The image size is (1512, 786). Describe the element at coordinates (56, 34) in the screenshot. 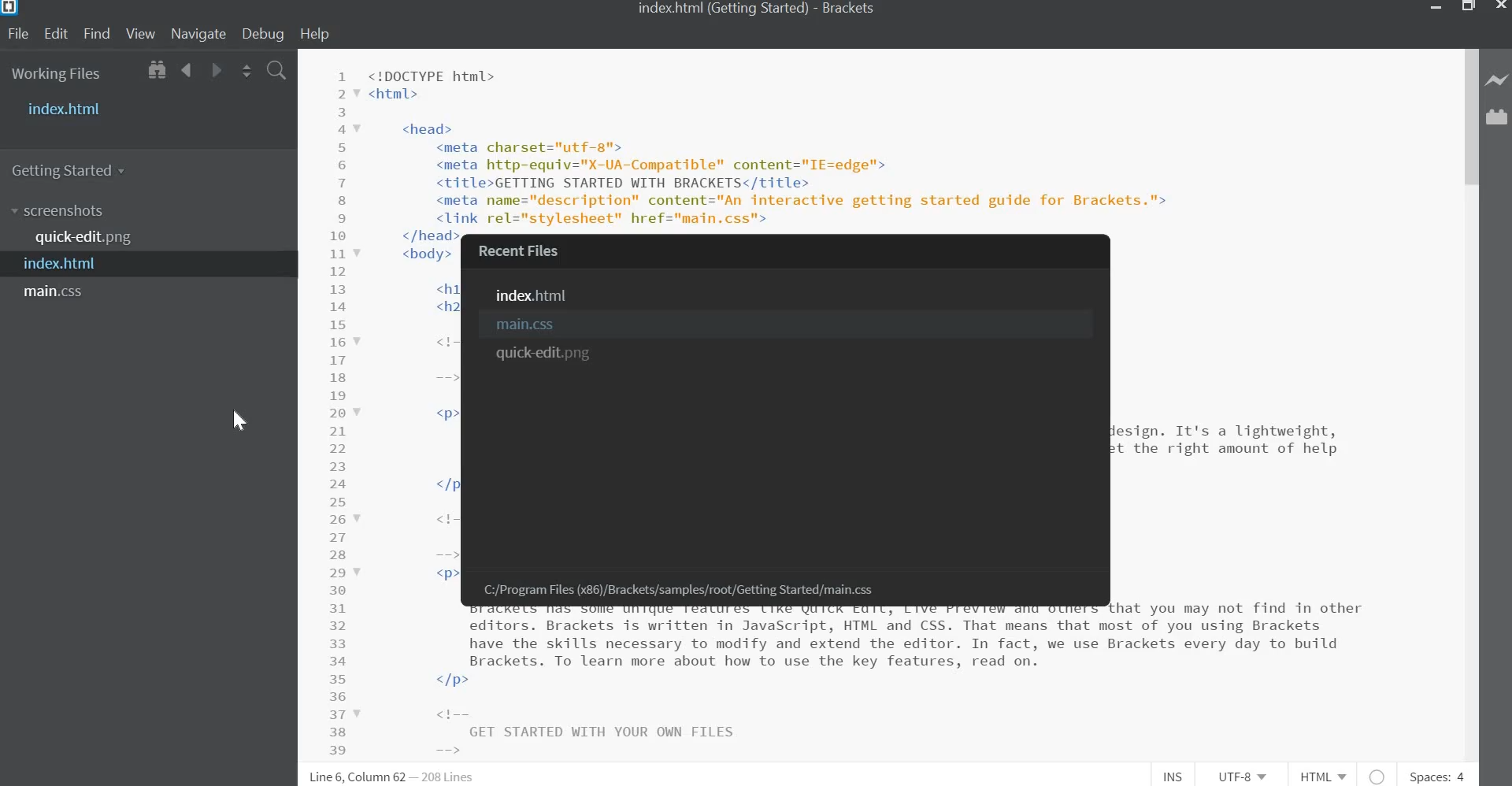

I see `Edit` at that location.